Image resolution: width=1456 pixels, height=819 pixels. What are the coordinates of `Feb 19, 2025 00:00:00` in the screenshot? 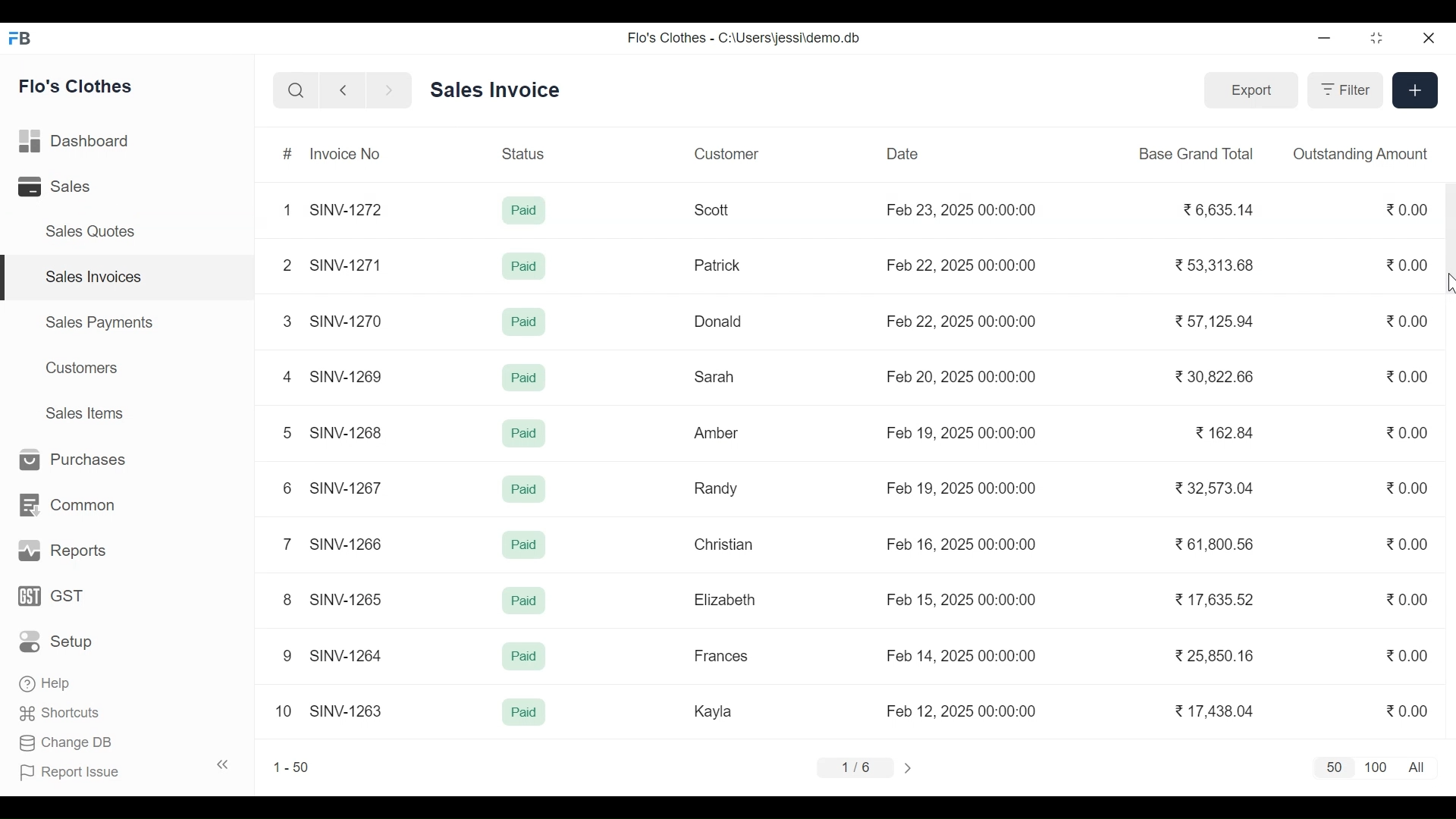 It's located at (965, 488).